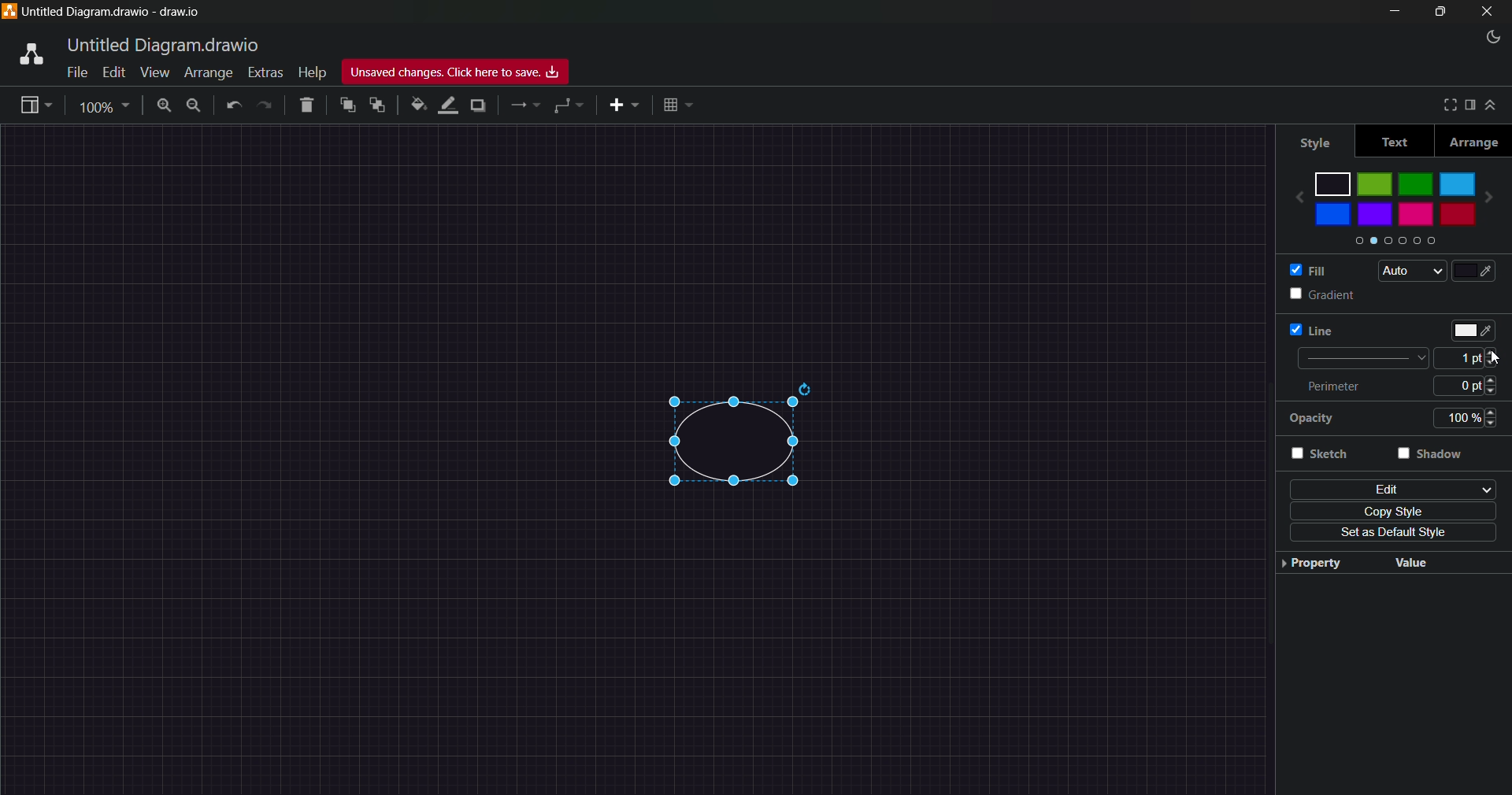 The width and height of the screenshot is (1512, 795). What do you see at coordinates (1374, 185) in the screenshot?
I see `green` at bounding box center [1374, 185].